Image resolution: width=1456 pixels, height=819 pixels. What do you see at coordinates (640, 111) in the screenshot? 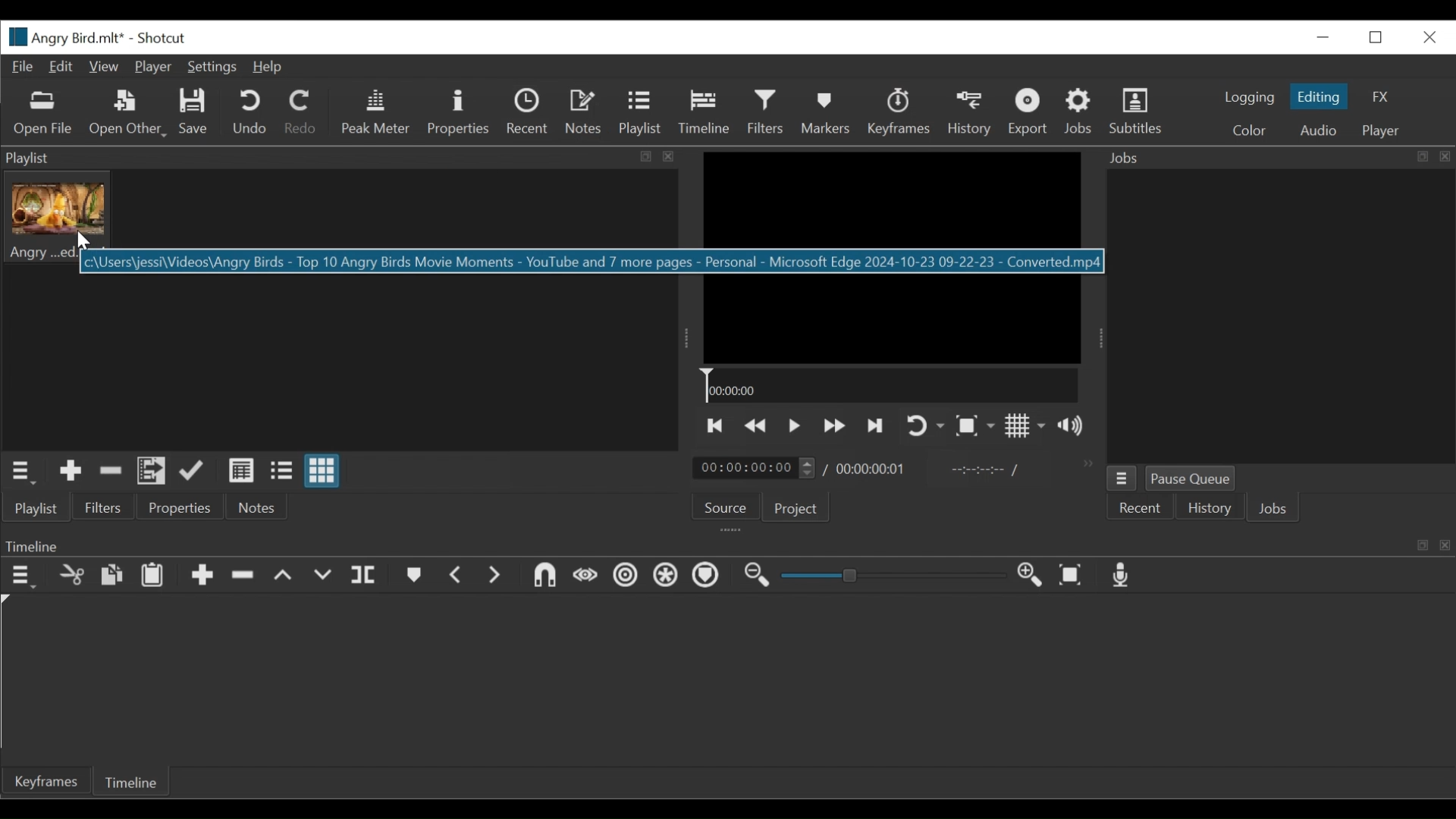
I see `Playlist` at bounding box center [640, 111].